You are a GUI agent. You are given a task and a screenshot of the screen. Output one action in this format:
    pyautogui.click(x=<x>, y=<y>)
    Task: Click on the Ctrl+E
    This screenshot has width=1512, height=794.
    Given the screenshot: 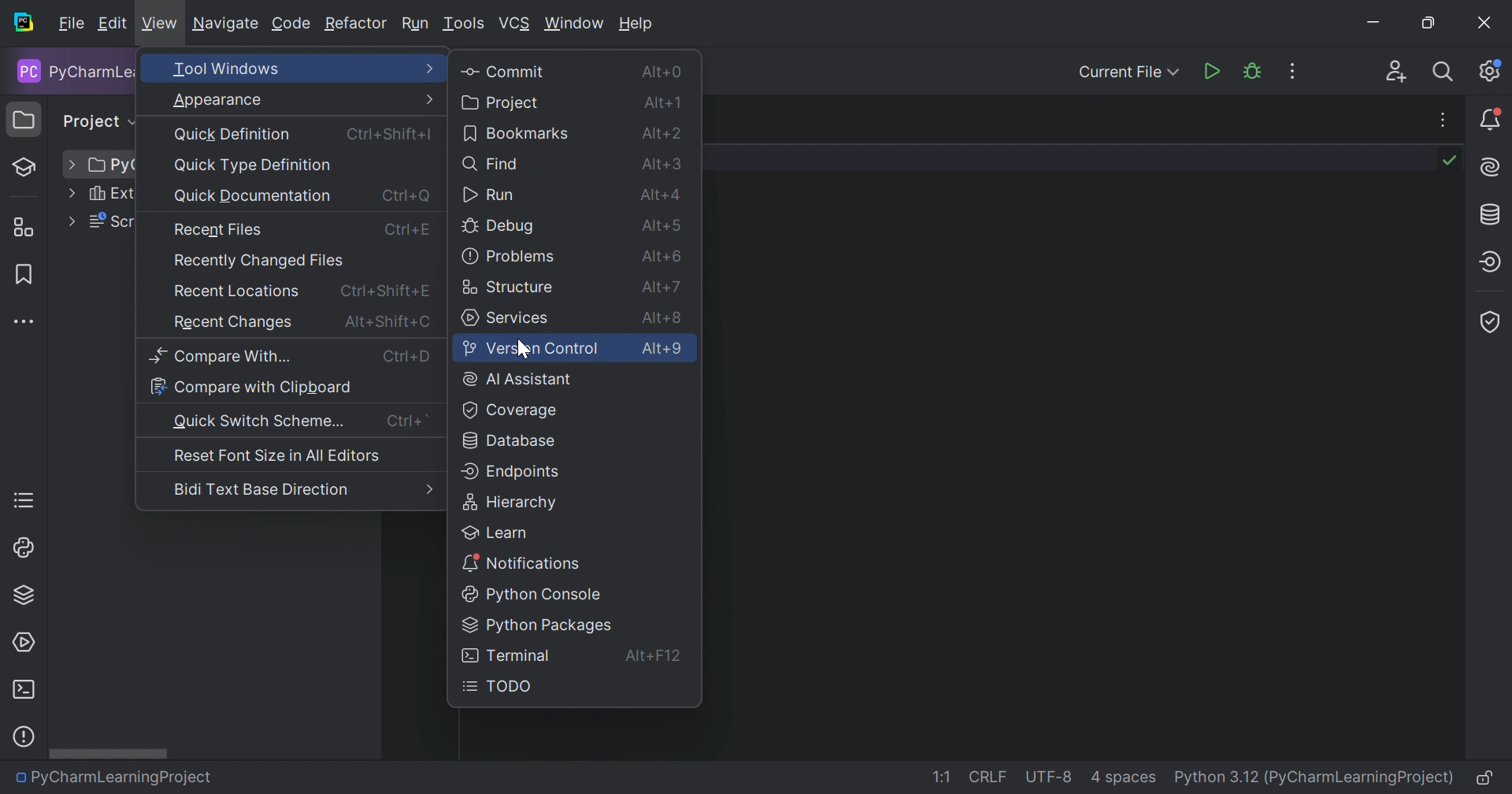 What is the action you would take?
    pyautogui.click(x=406, y=228)
    